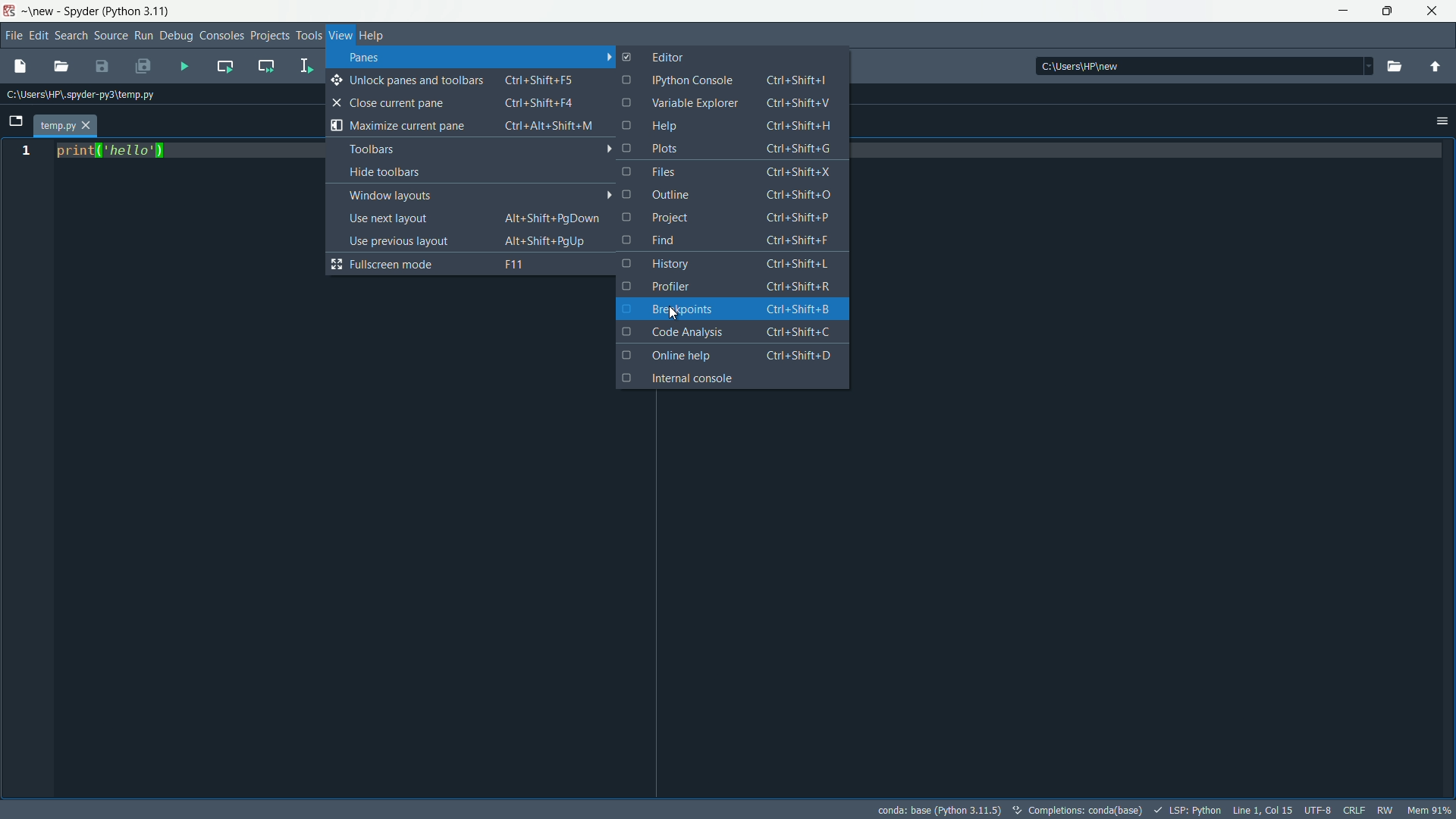  What do you see at coordinates (655, 55) in the screenshot?
I see `editor` at bounding box center [655, 55].